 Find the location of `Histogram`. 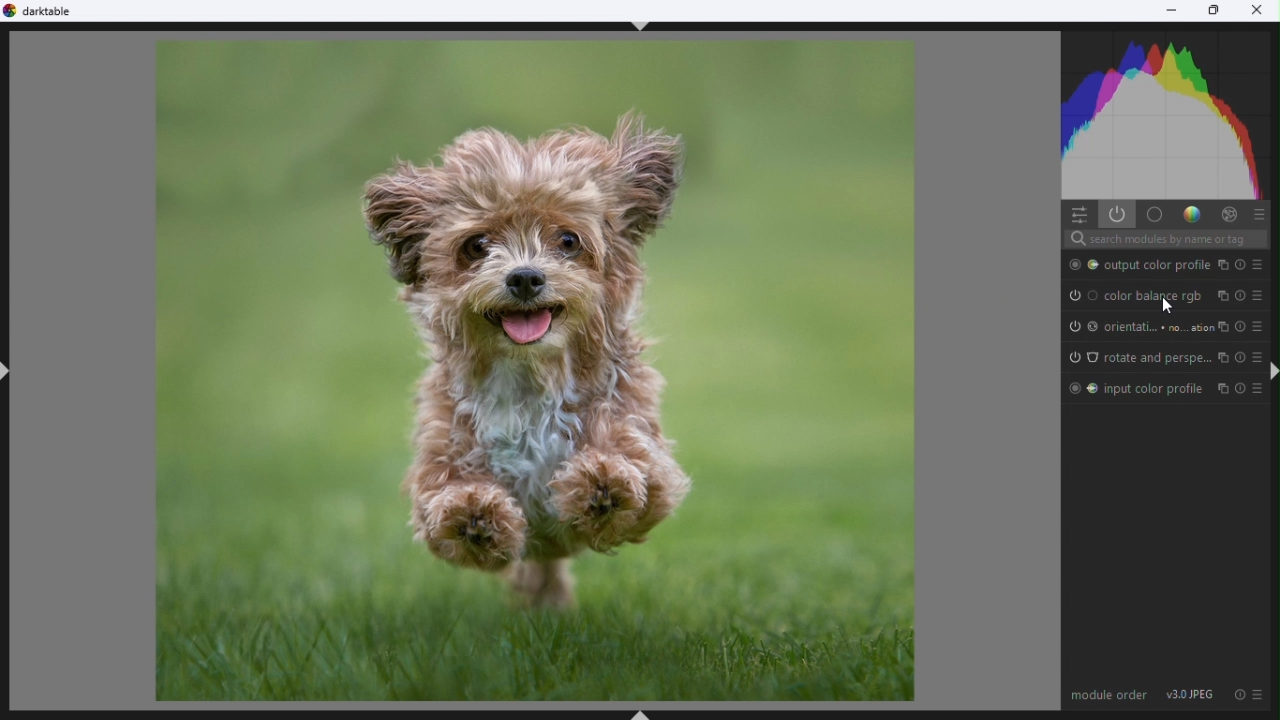

Histogram is located at coordinates (1167, 114).